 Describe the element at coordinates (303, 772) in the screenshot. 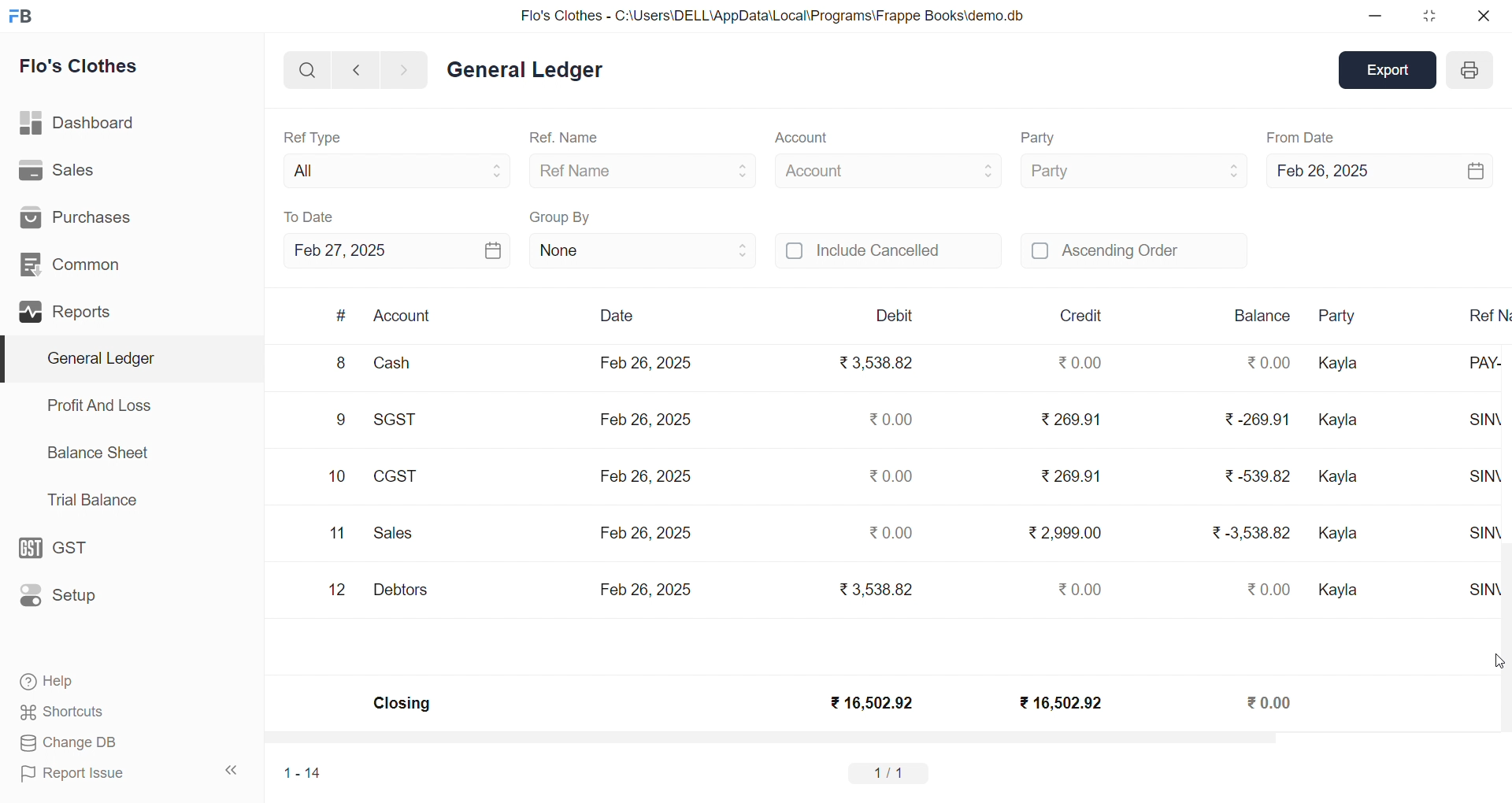

I see `1-14` at that location.